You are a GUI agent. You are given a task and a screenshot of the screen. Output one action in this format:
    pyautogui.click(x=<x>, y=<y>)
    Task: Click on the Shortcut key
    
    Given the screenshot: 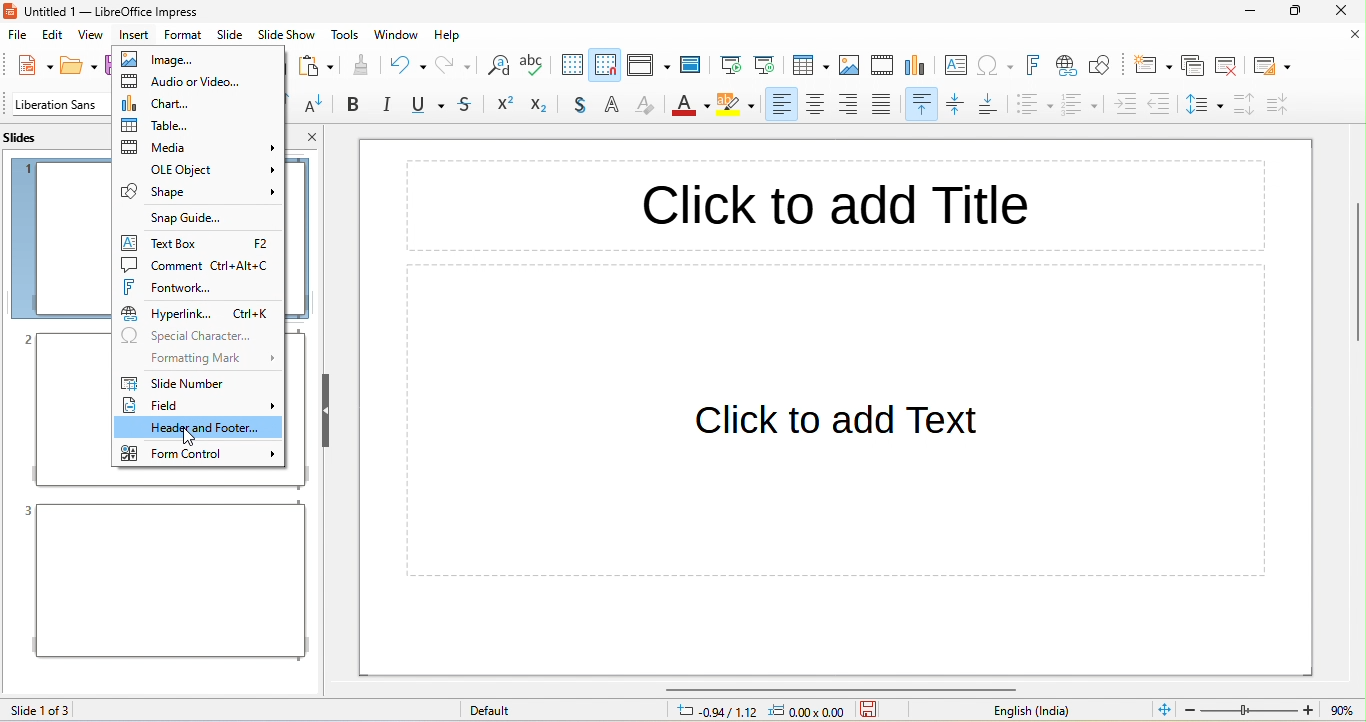 What is the action you would take?
    pyautogui.click(x=242, y=265)
    